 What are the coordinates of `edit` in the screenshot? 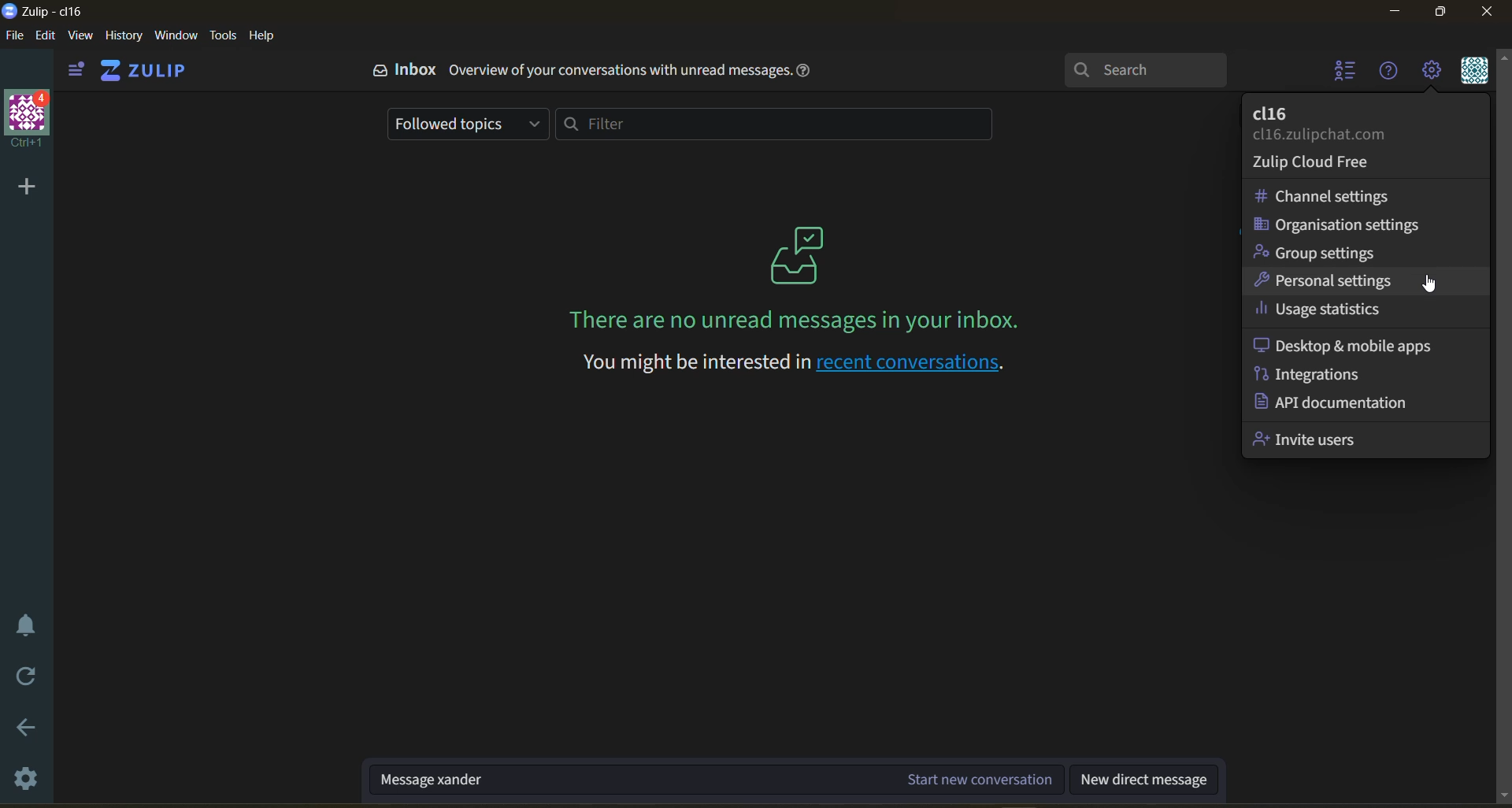 It's located at (45, 36).